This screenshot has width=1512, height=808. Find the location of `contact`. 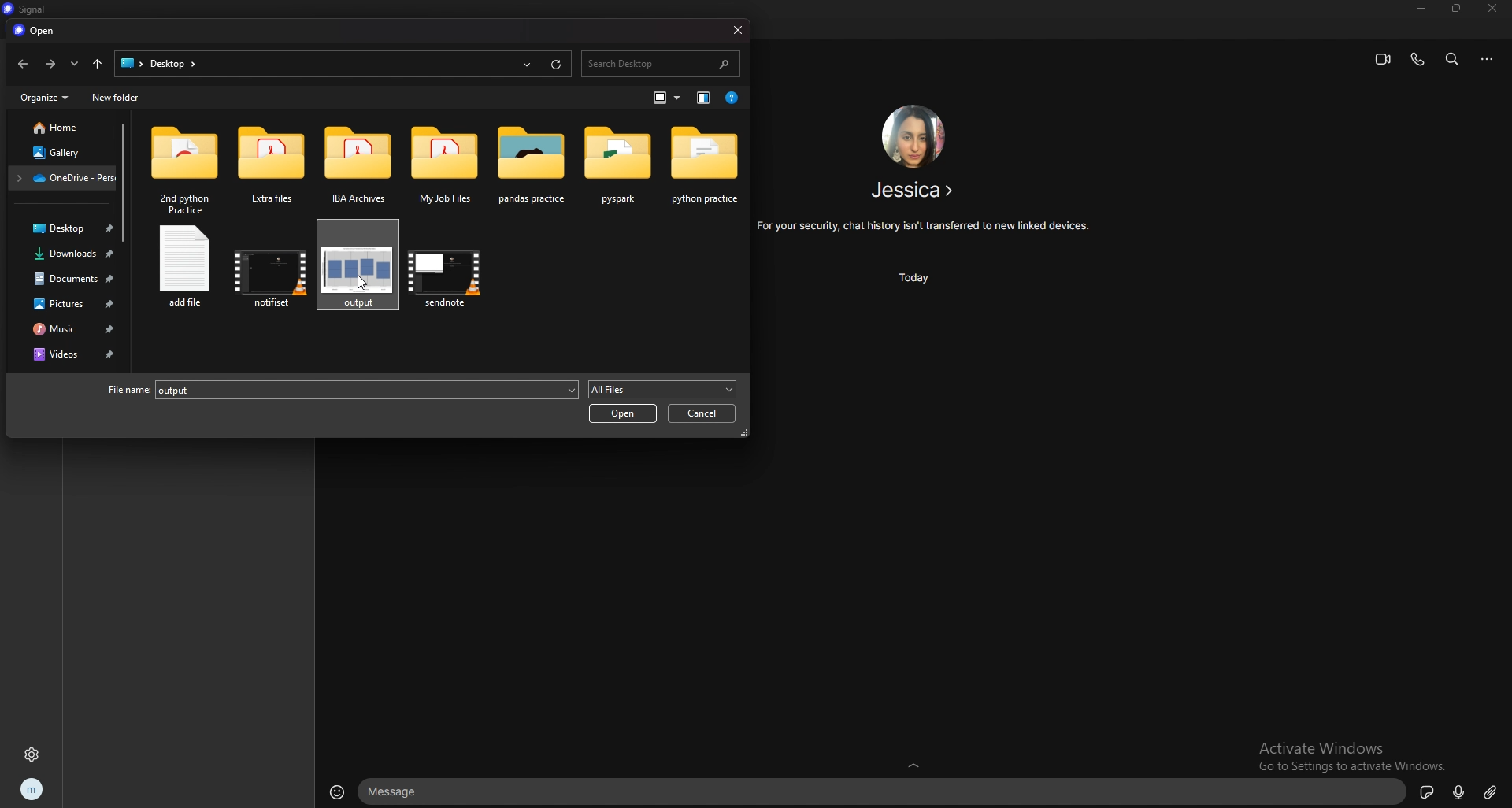

contact is located at coordinates (914, 190).